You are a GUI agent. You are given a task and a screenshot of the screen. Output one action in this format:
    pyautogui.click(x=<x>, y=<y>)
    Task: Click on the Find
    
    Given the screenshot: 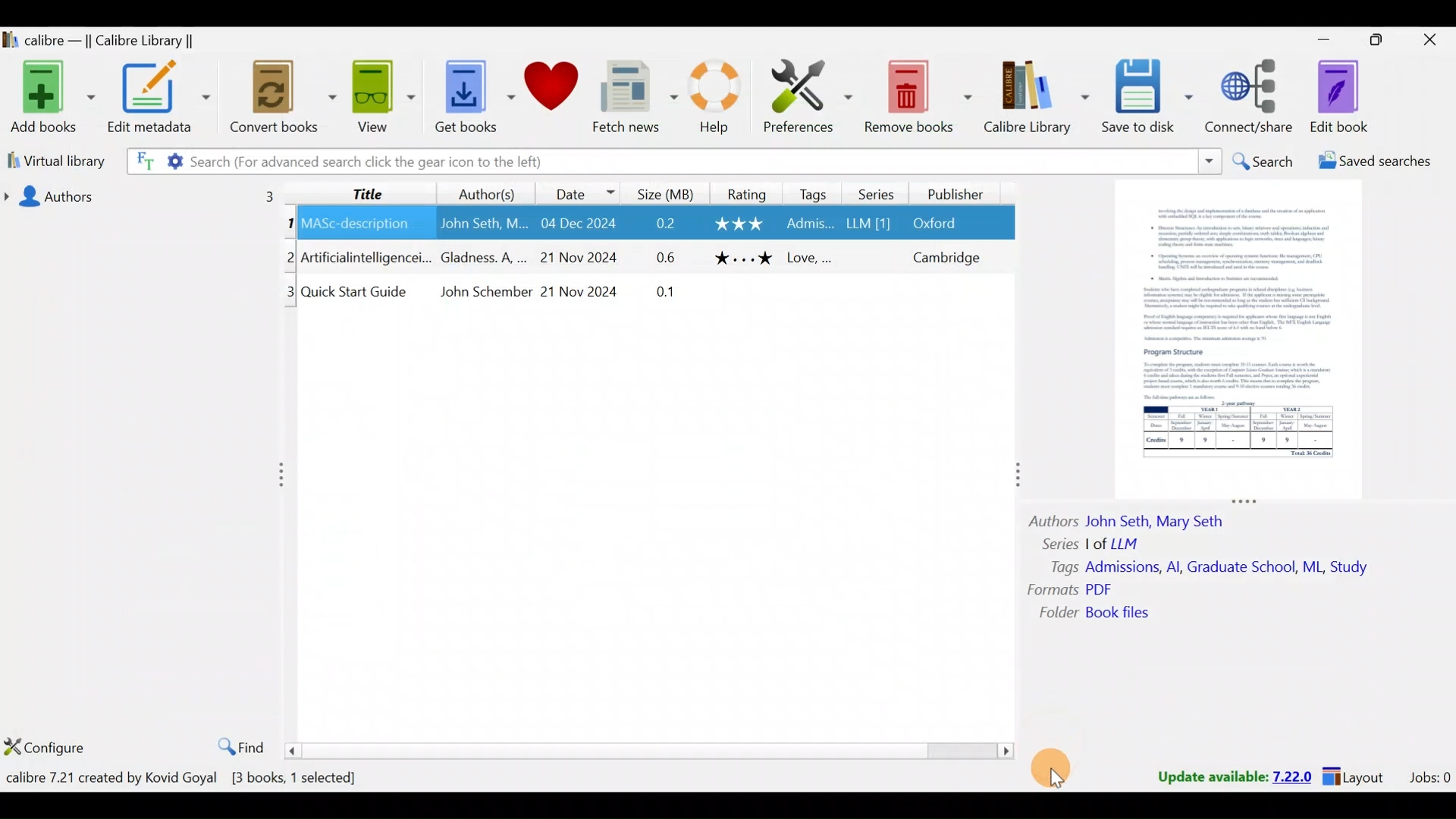 What is the action you would take?
    pyautogui.click(x=237, y=745)
    